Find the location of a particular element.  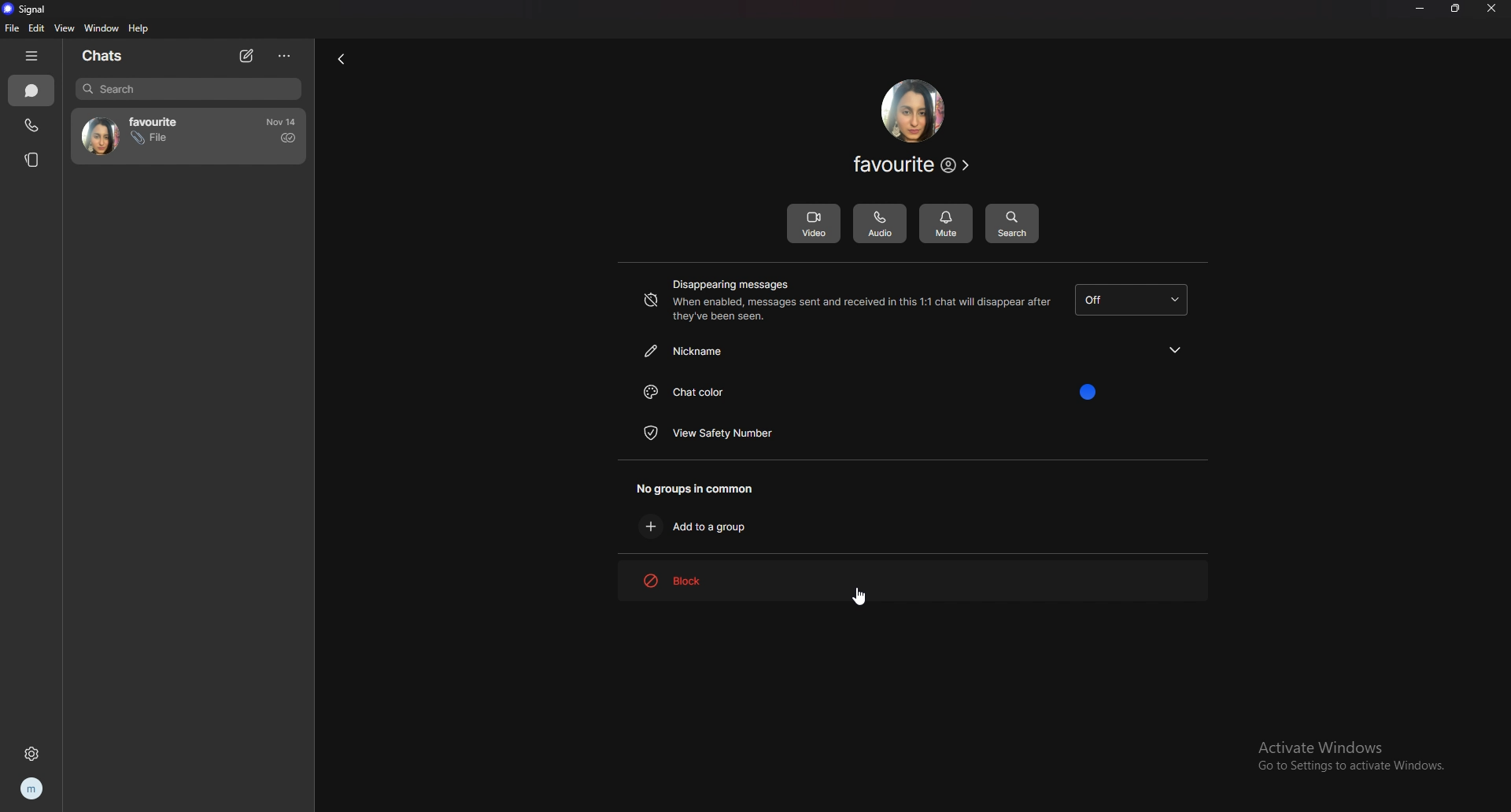

chats is located at coordinates (31, 90).